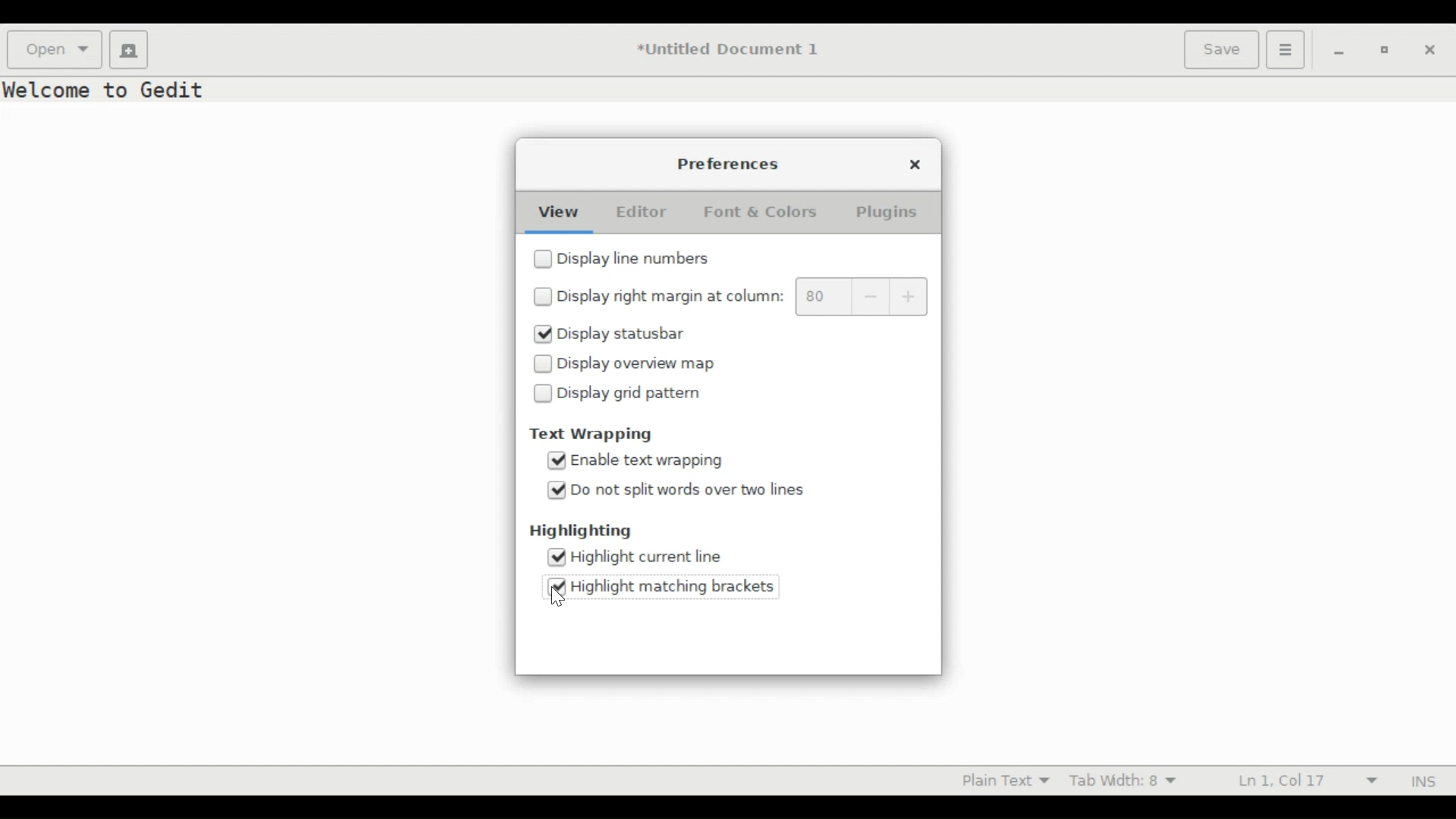  What do you see at coordinates (54, 50) in the screenshot?
I see `Open` at bounding box center [54, 50].